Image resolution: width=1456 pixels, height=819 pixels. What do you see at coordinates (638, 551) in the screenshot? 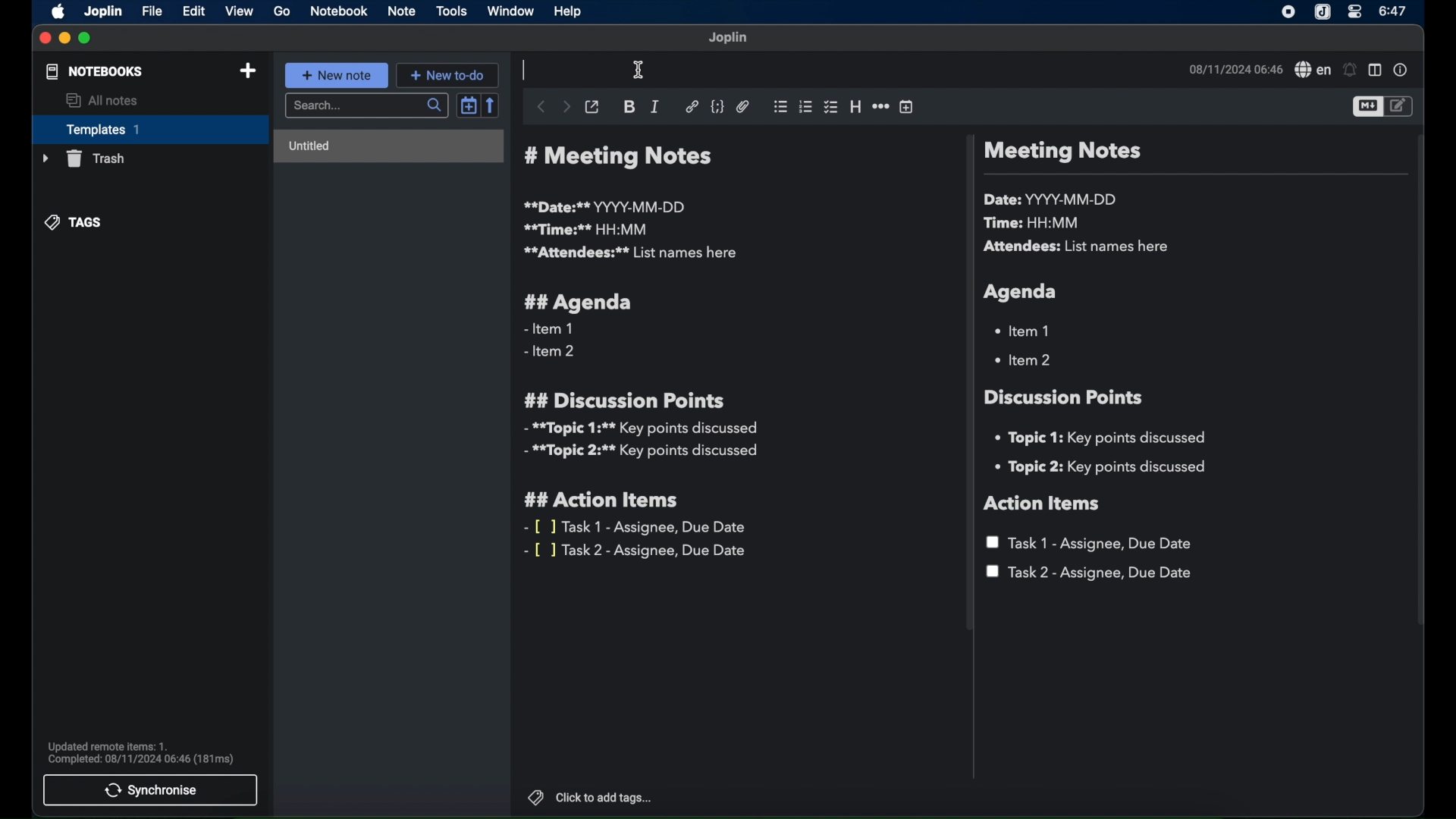
I see `- [ ] task 2 - assignee, due date` at bounding box center [638, 551].